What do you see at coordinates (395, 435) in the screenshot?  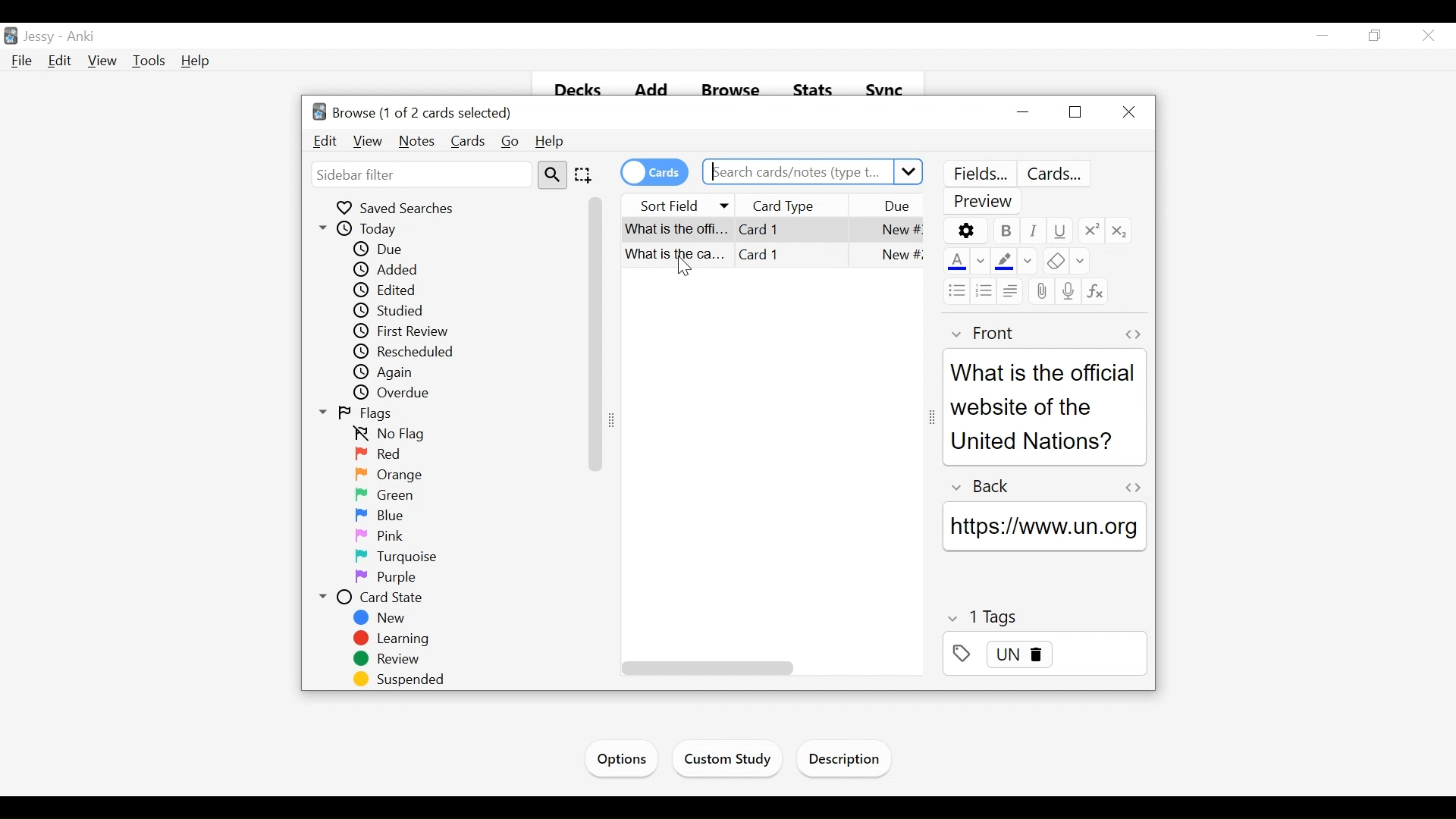 I see `No Flags` at bounding box center [395, 435].